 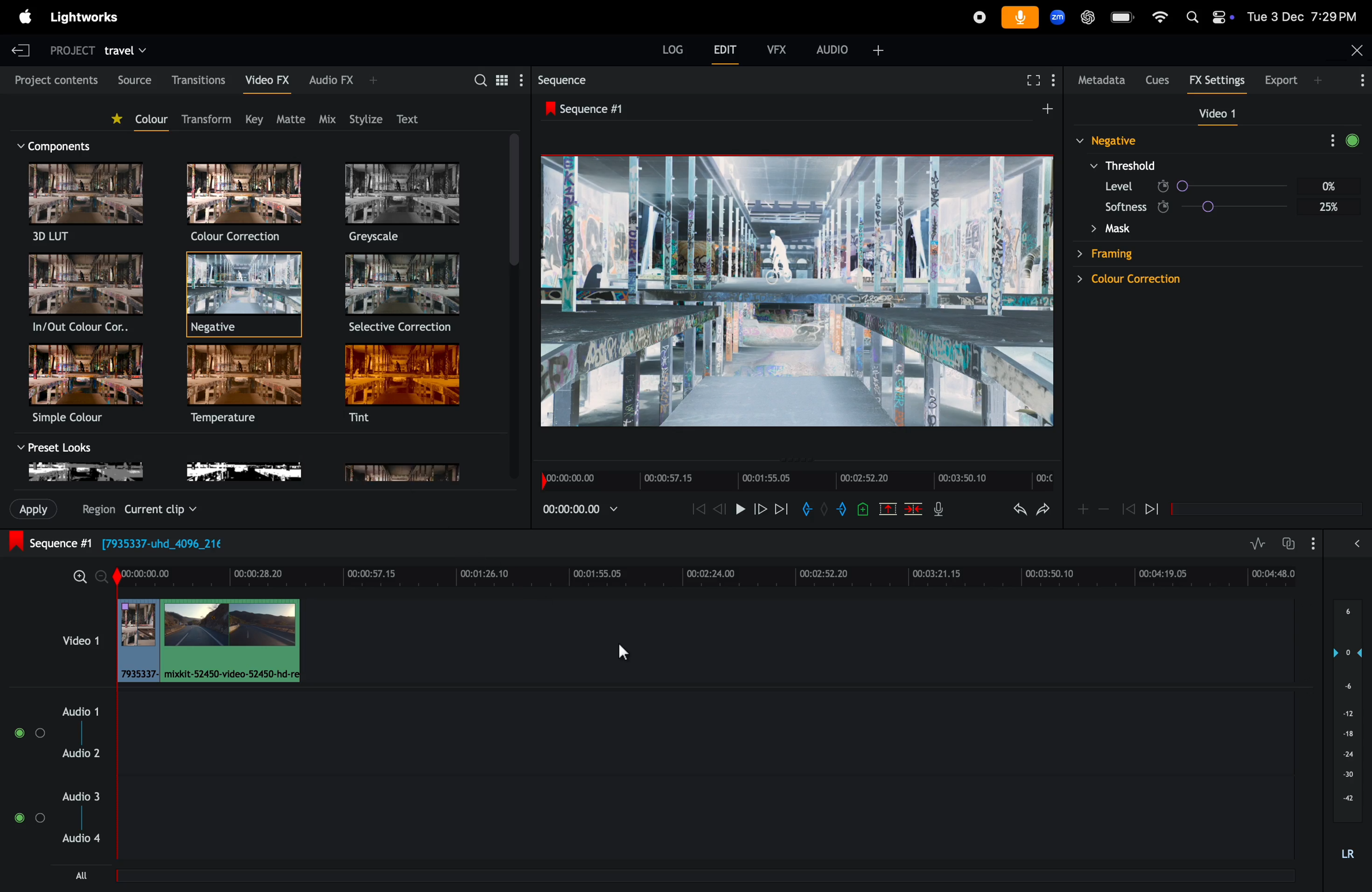 What do you see at coordinates (773, 48) in the screenshot?
I see `Vfx` at bounding box center [773, 48].